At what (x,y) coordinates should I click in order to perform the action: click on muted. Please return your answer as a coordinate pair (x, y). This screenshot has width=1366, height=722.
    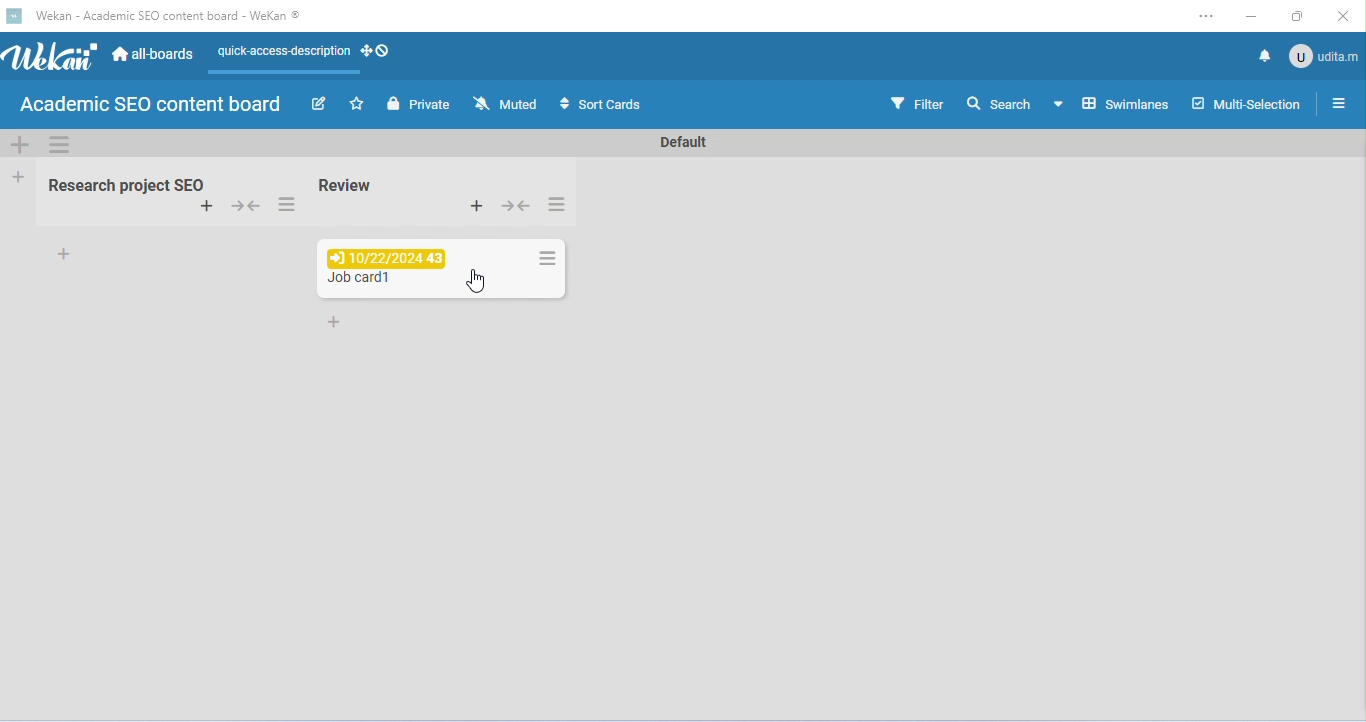
    Looking at the image, I should click on (507, 104).